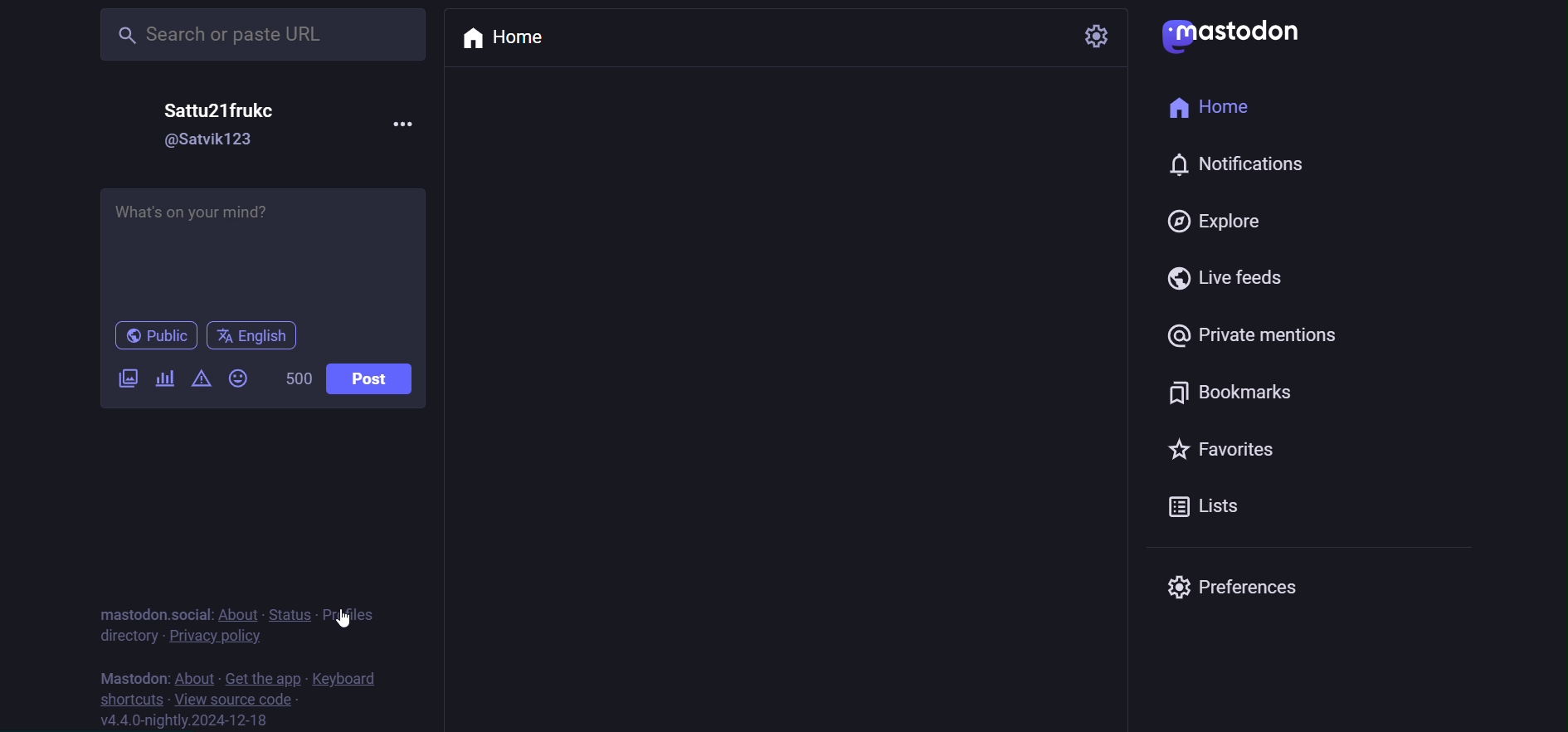  Describe the element at coordinates (267, 35) in the screenshot. I see `Search or paste URL` at that location.